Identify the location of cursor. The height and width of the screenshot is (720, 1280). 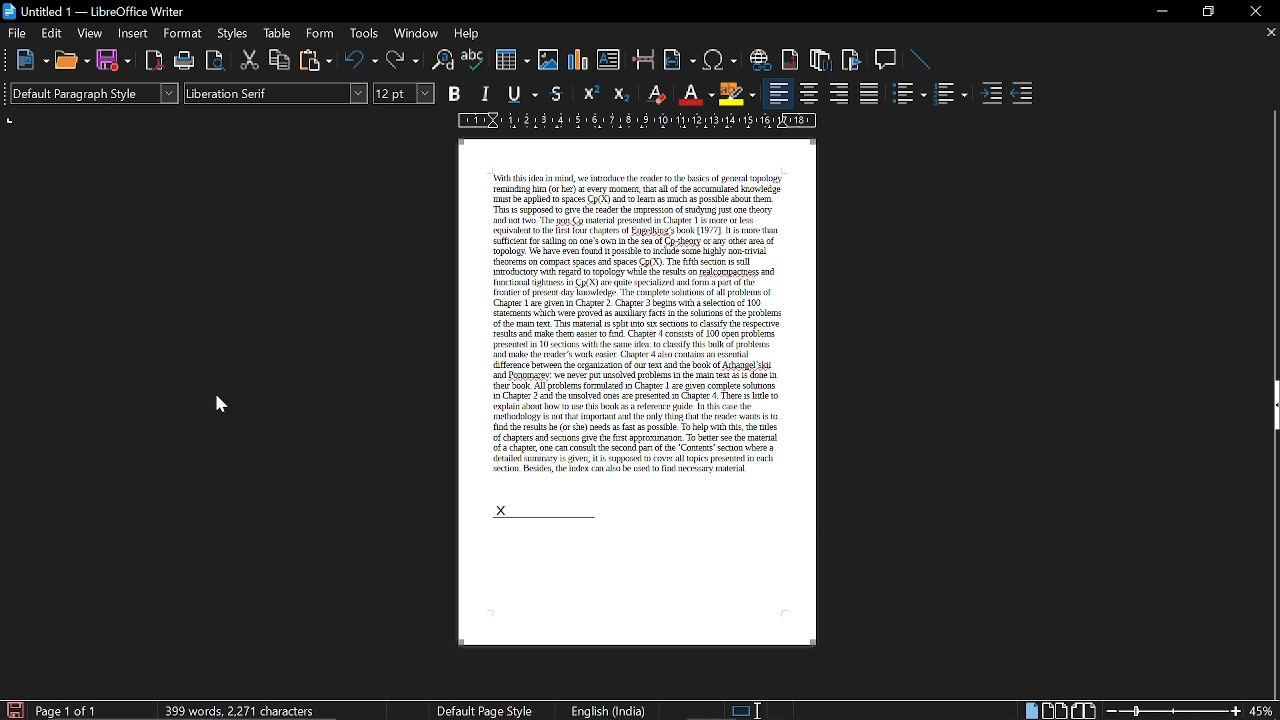
(221, 403).